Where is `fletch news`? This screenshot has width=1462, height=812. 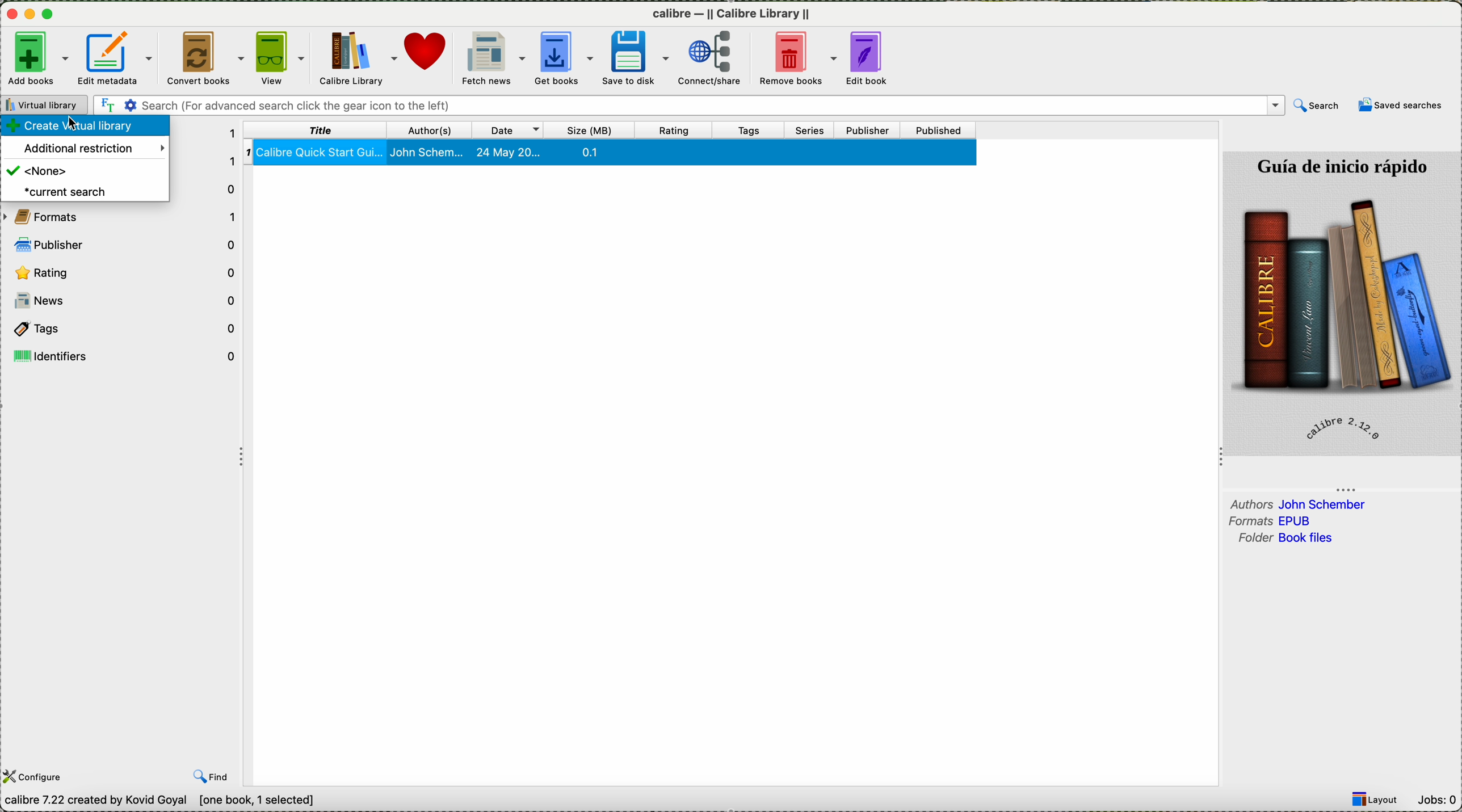 fletch news is located at coordinates (493, 58).